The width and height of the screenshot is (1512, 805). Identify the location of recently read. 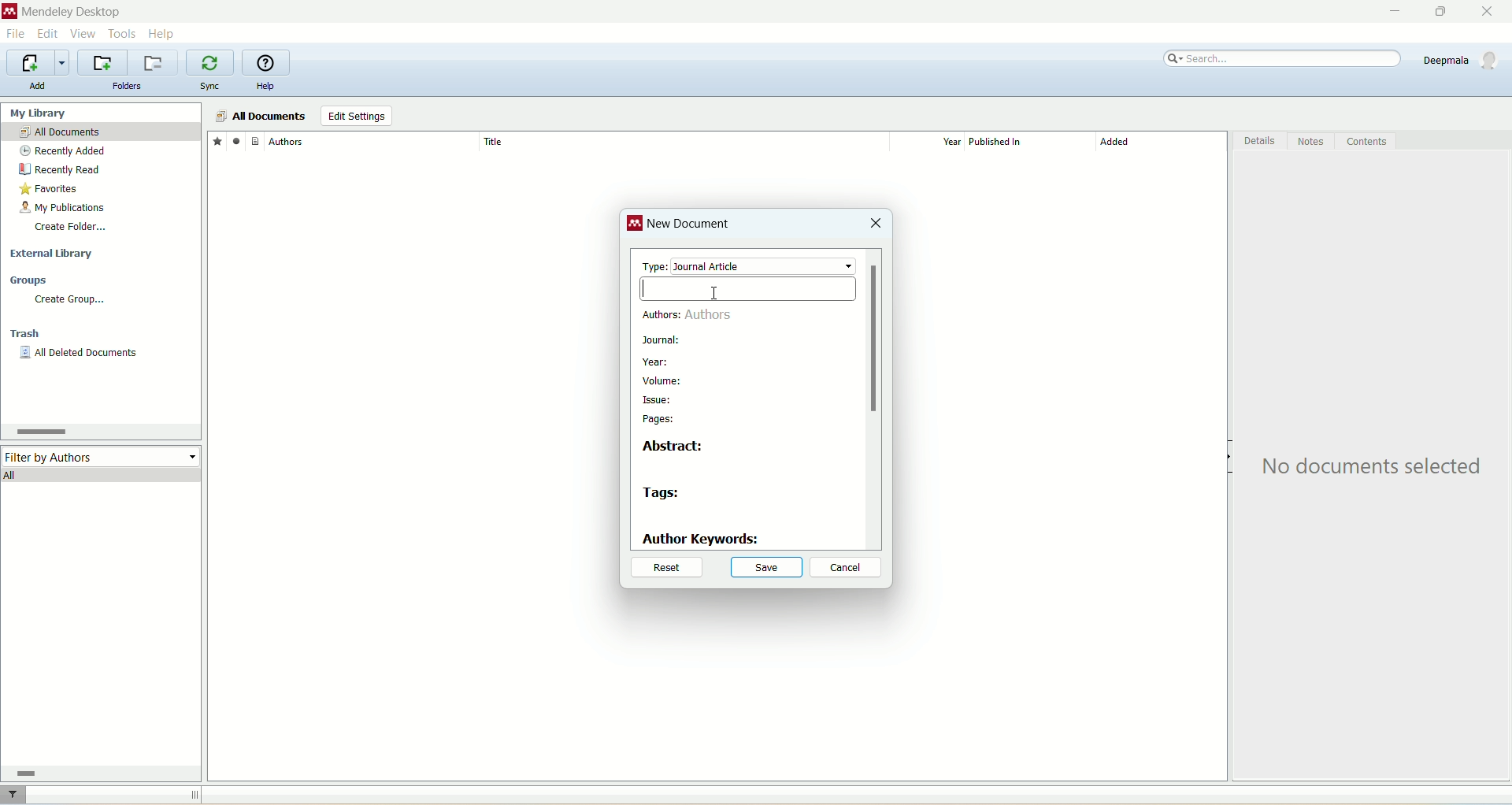
(59, 169).